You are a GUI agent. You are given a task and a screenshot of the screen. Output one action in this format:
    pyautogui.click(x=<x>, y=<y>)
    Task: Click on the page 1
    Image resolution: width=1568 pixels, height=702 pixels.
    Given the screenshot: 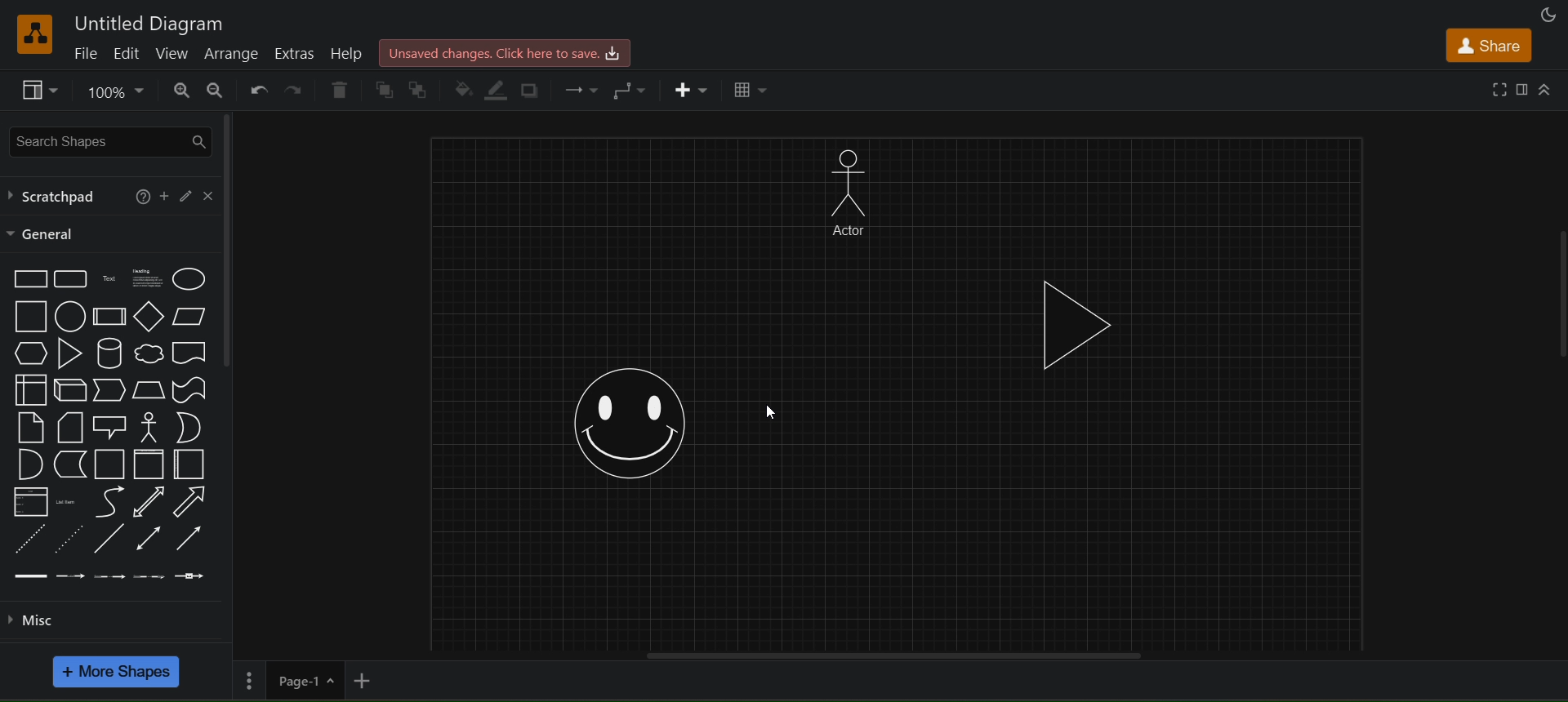 What is the action you would take?
    pyautogui.click(x=287, y=681)
    